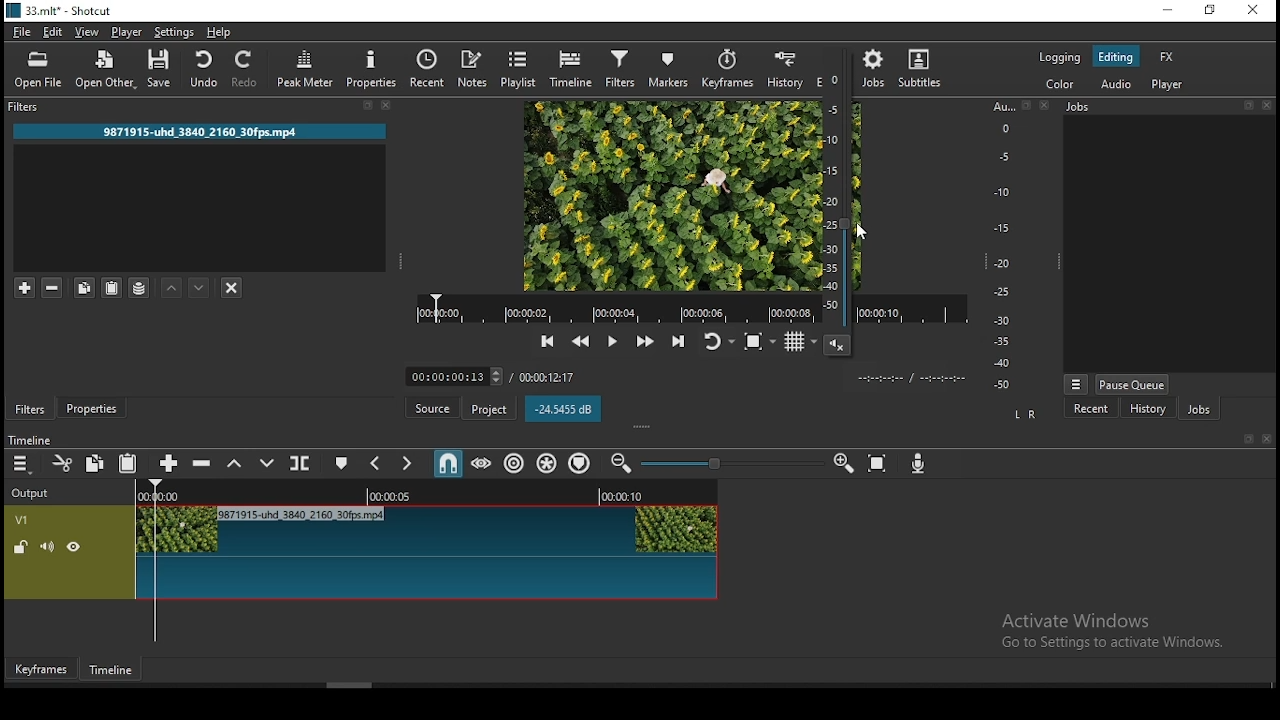  What do you see at coordinates (23, 32) in the screenshot?
I see `file` at bounding box center [23, 32].